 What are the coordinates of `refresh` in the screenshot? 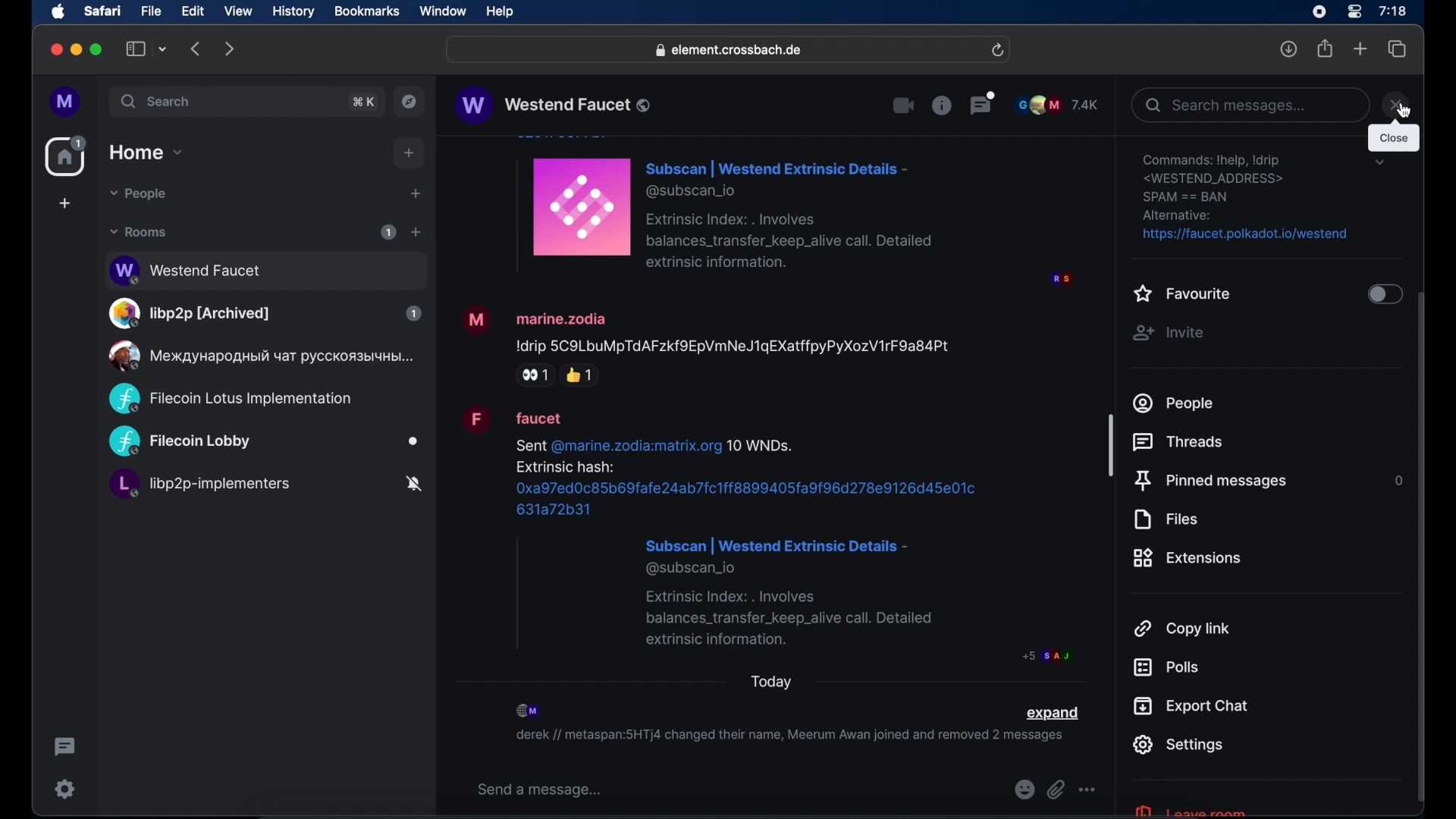 It's located at (997, 51).